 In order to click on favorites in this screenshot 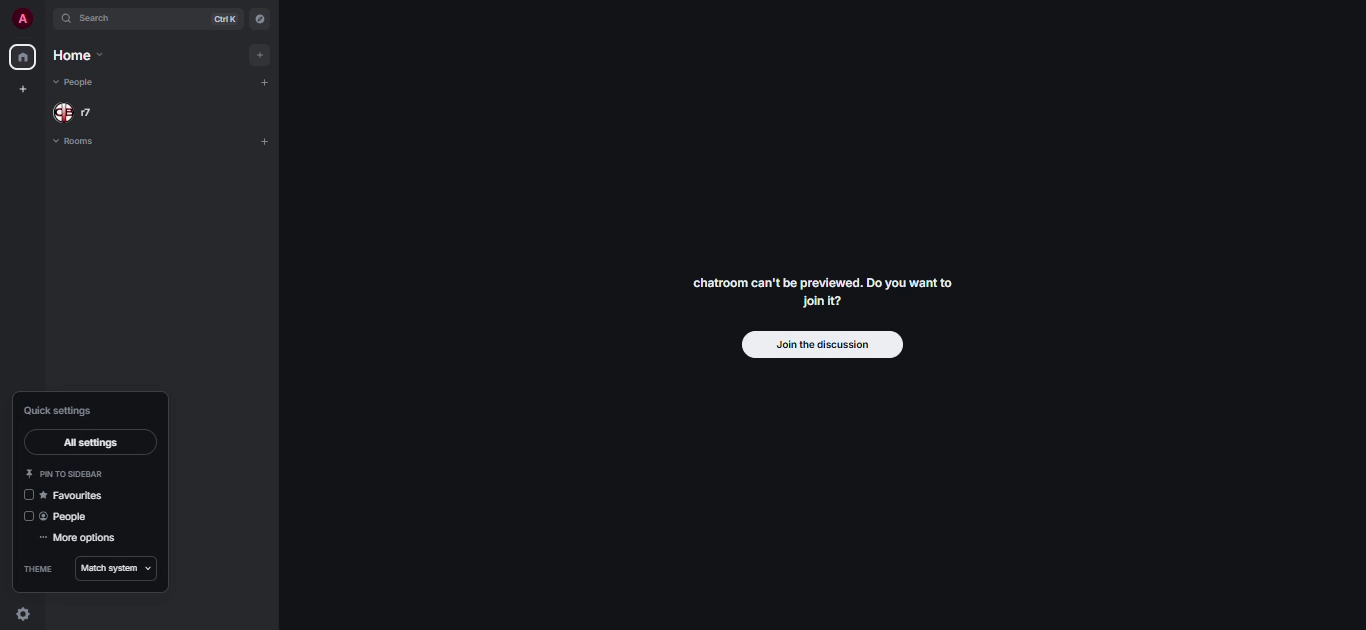, I will do `click(74, 496)`.